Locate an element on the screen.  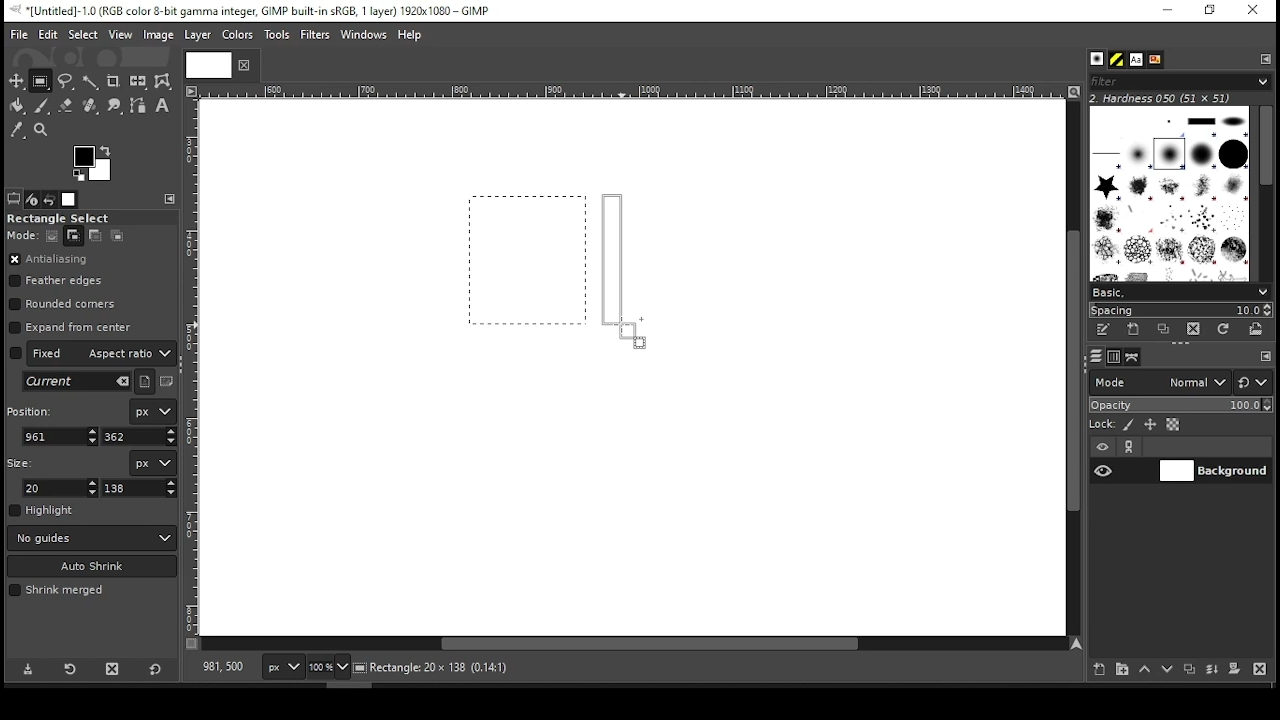
rounded corners is located at coordinates (65, 304).